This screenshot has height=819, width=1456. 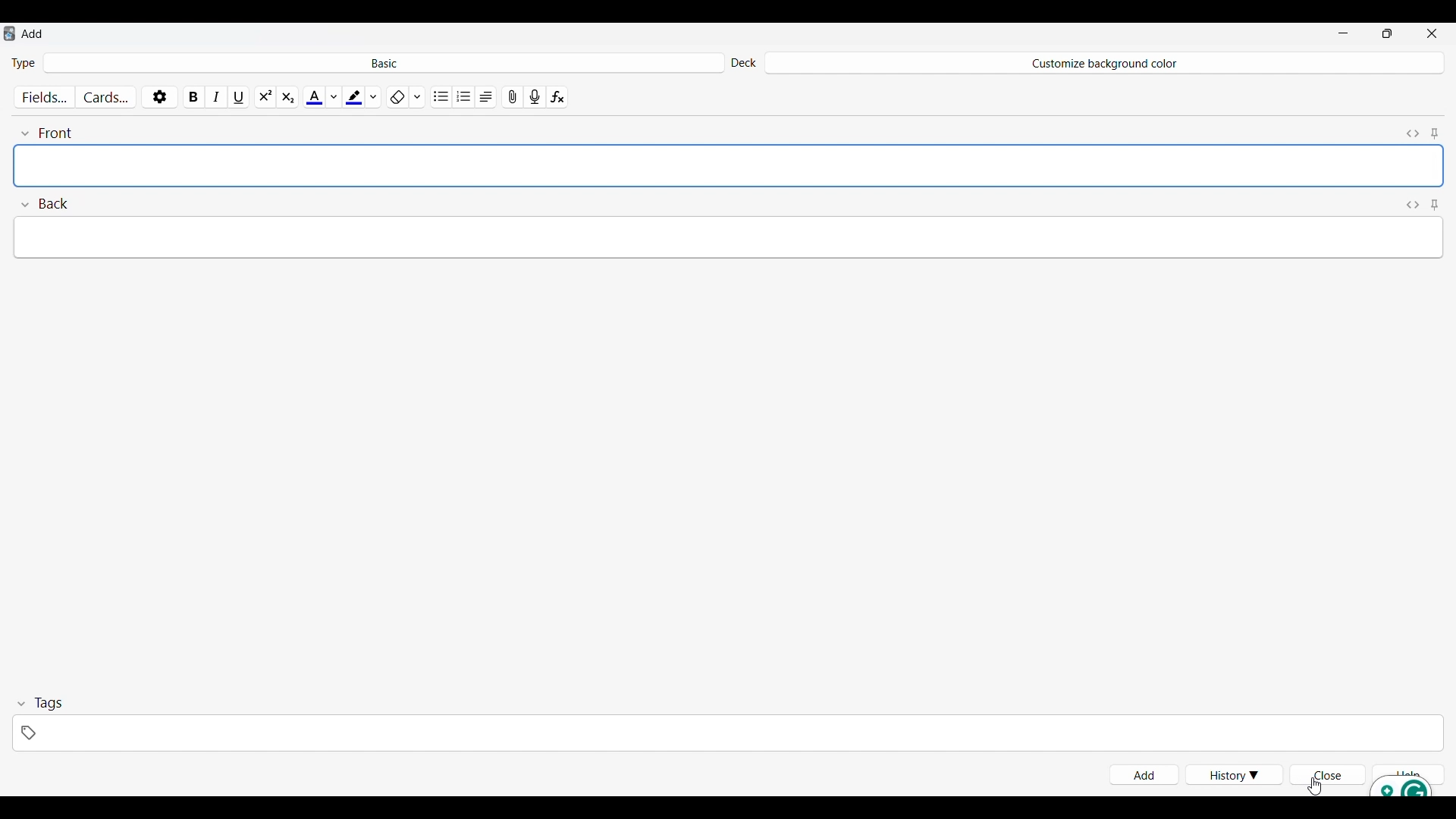 What do you see at coordinates (194, 94) in the screenshot?
I see `Bold` at bounding box center [194, 94].